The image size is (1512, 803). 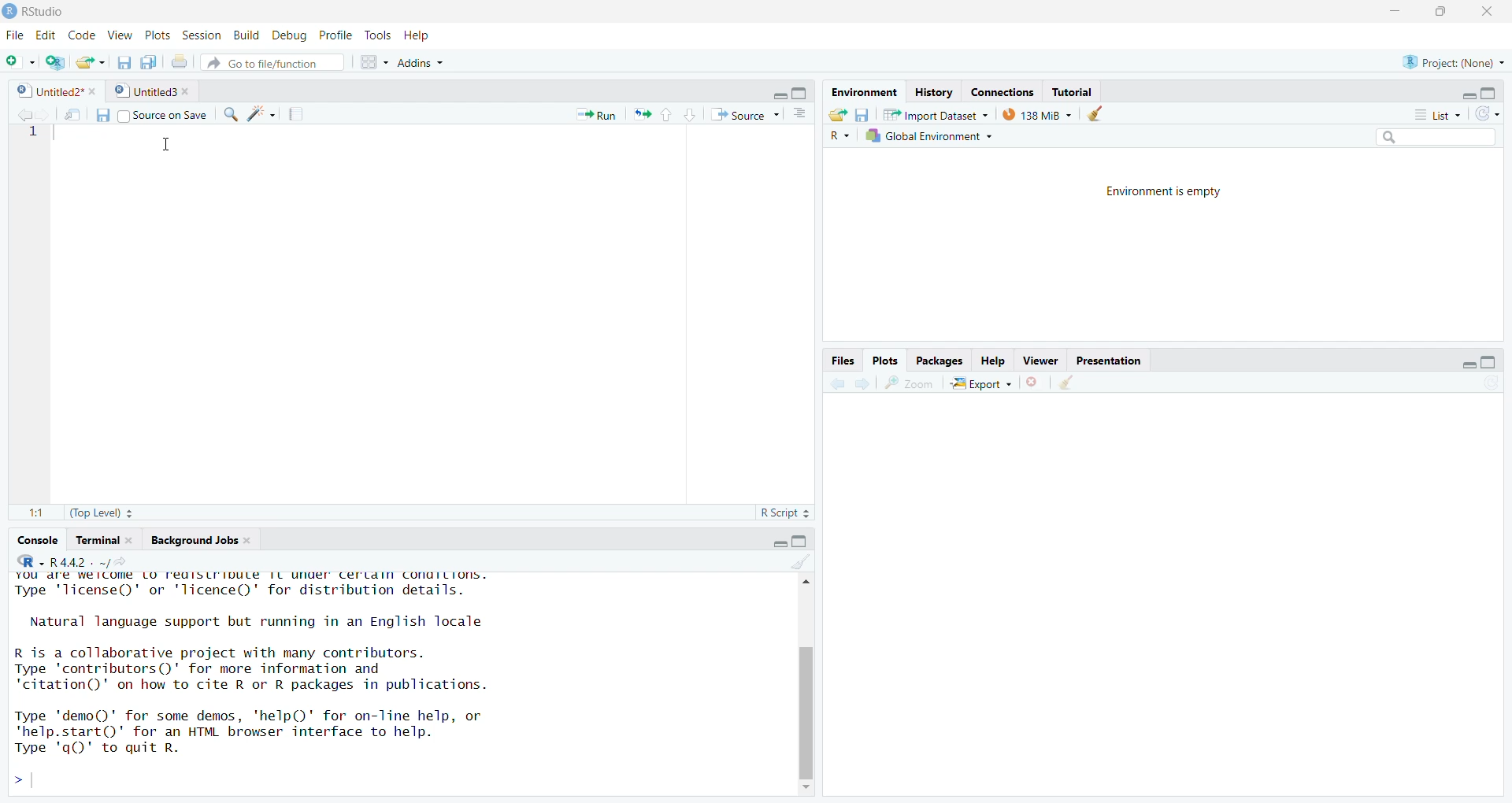 I want to click on (Top Level) 3, so click(x=92, y=515).